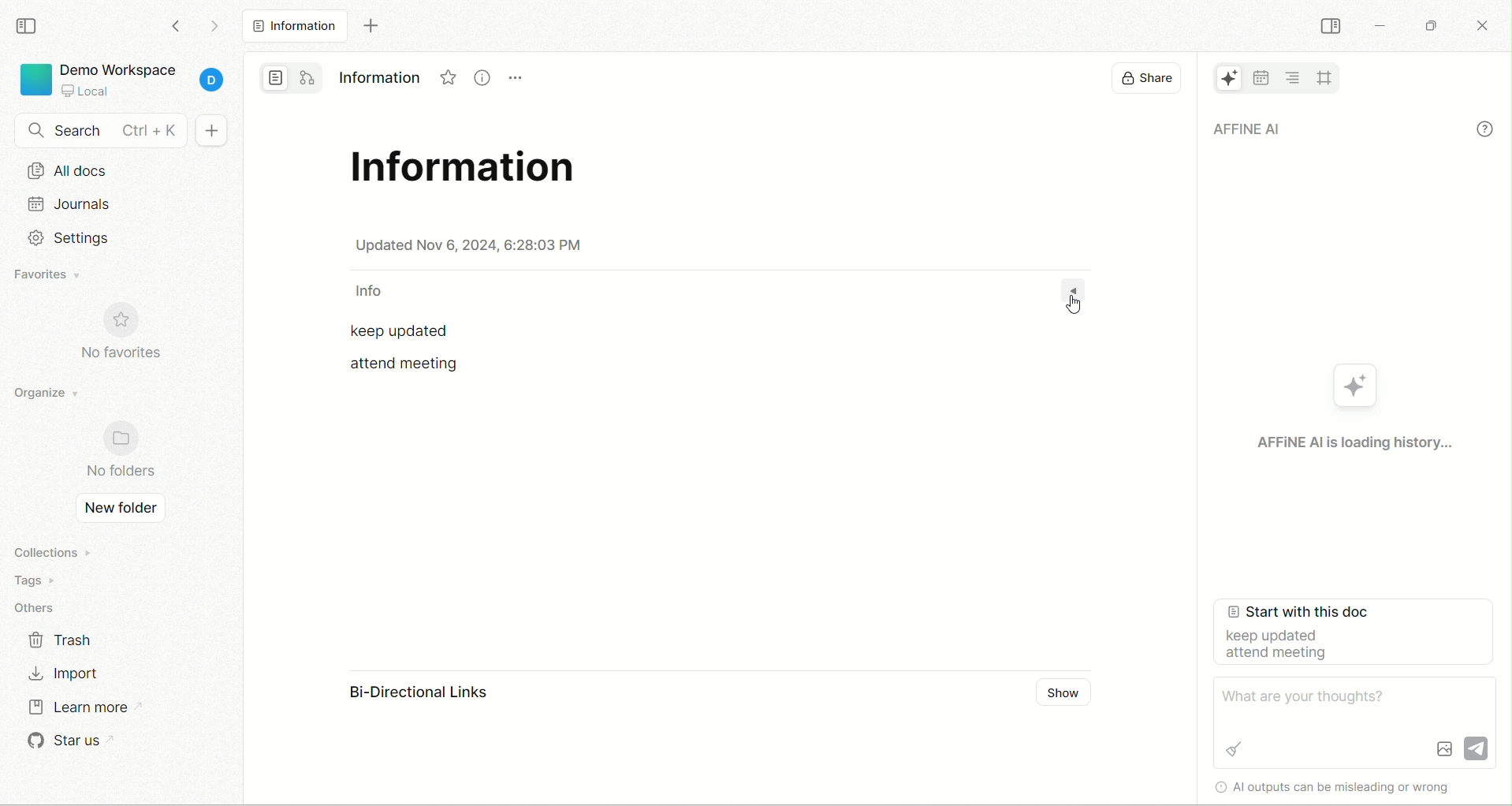 This screenshot has height=806, width=1512. Describe the element at coordinates (414, 692) in the screenshot. I see `Bi-Directional Links` at that location.